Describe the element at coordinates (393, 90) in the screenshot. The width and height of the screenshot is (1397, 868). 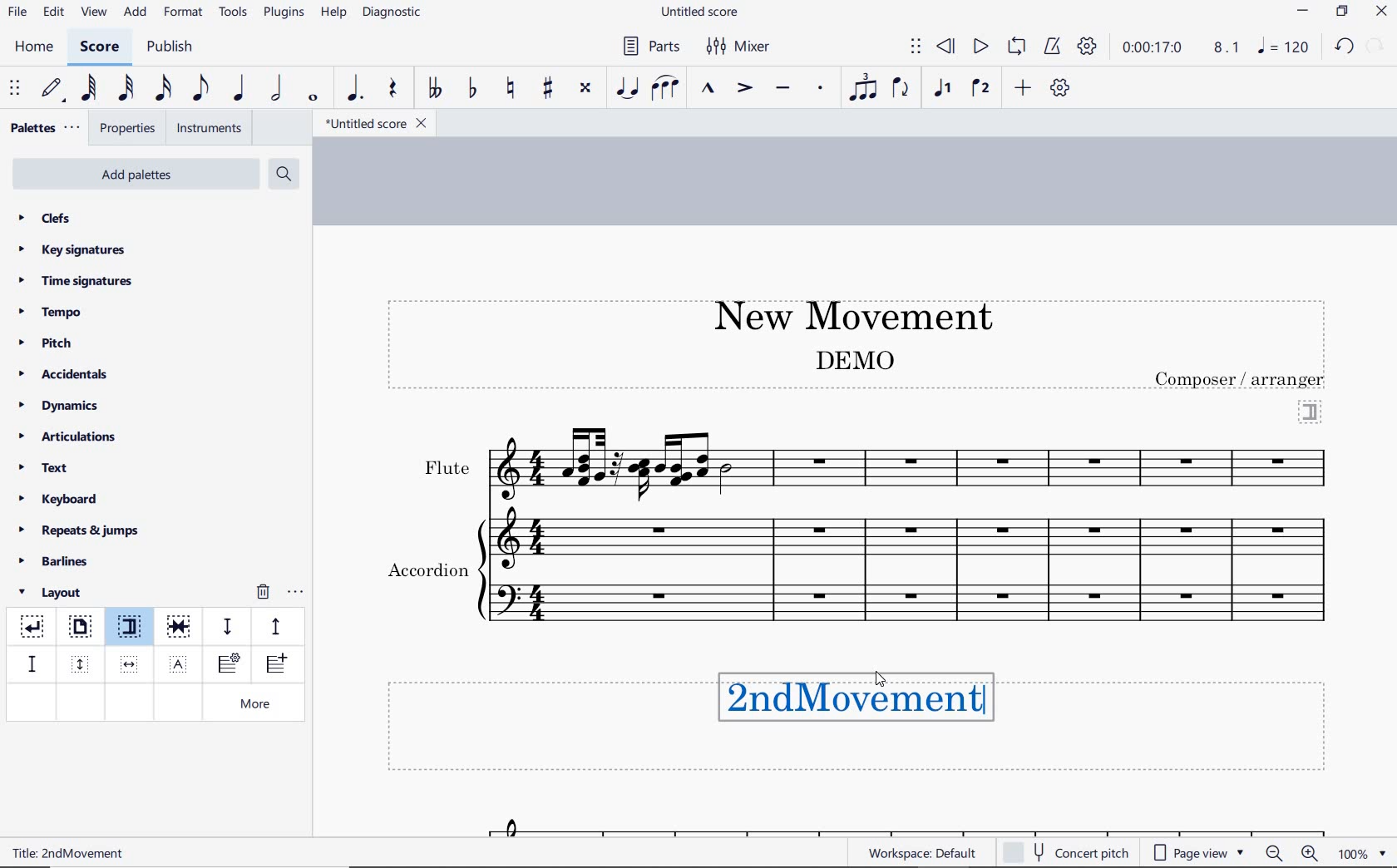
I see `rest` at that location.